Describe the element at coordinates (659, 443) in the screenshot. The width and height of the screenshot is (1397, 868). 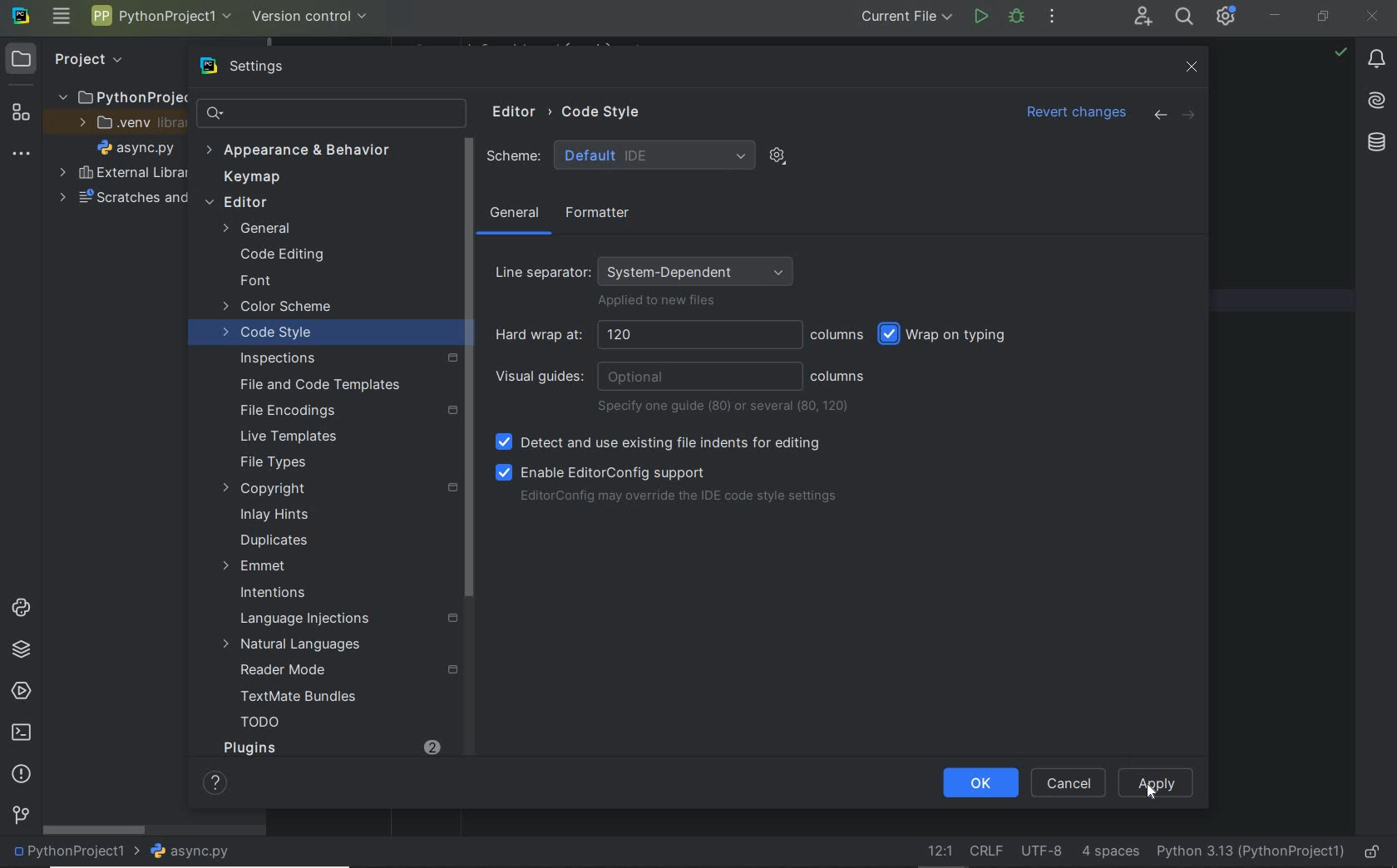
I see `Detect and use existing file indents for editing` at that location.